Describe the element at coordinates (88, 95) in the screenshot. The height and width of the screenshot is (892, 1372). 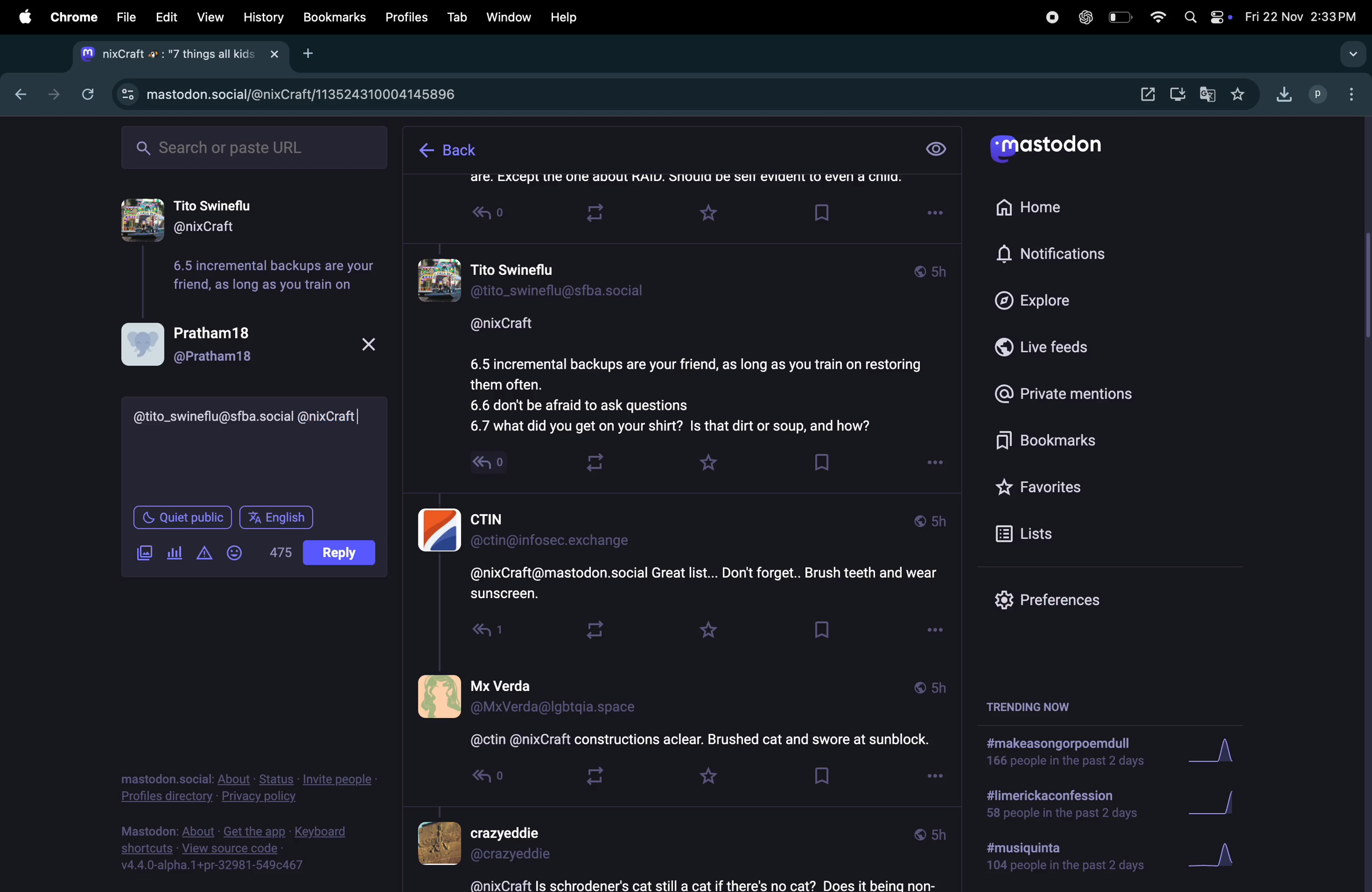
I see `refresh` at that location.